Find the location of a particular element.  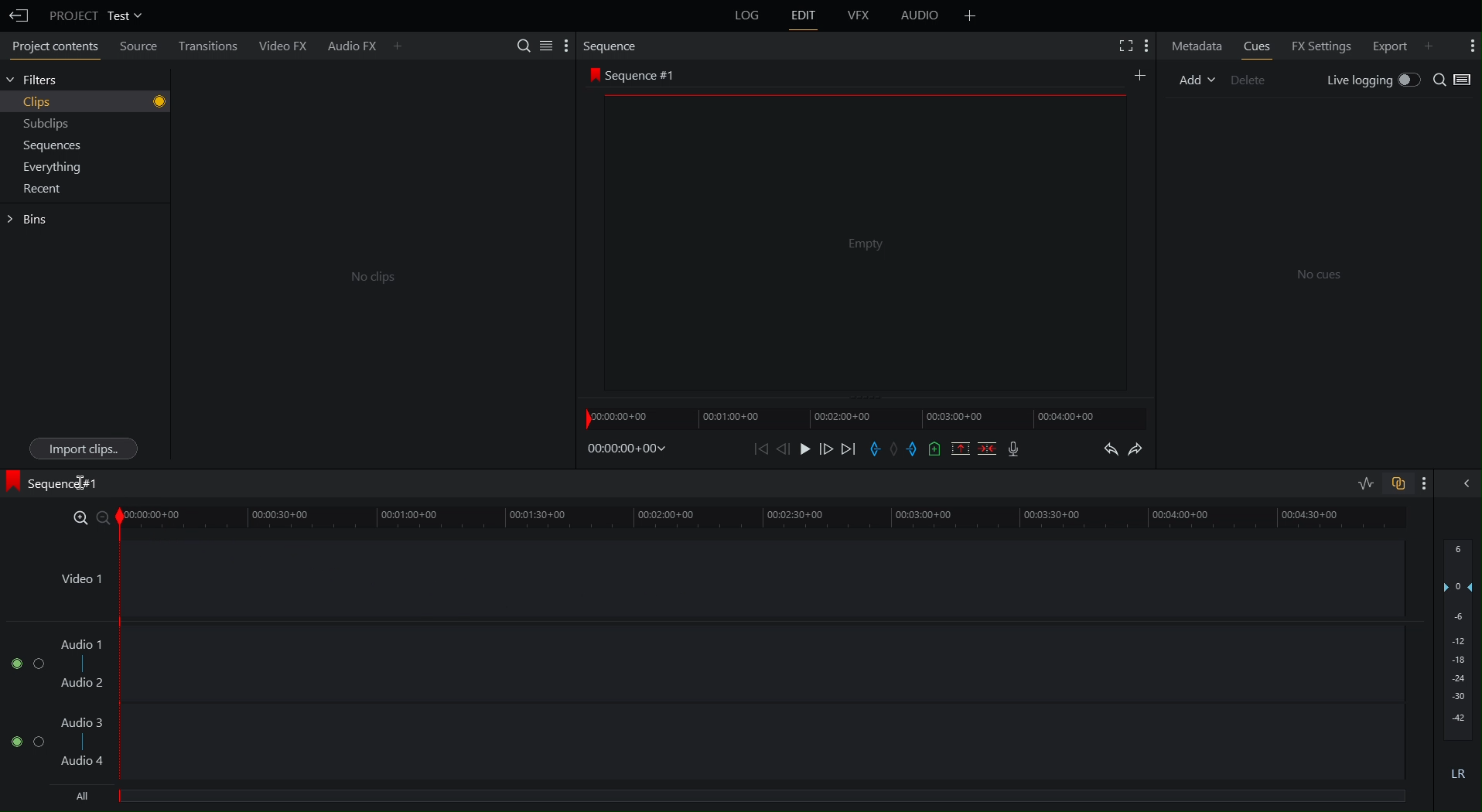

Cues is located at coordinates (1255, 44).